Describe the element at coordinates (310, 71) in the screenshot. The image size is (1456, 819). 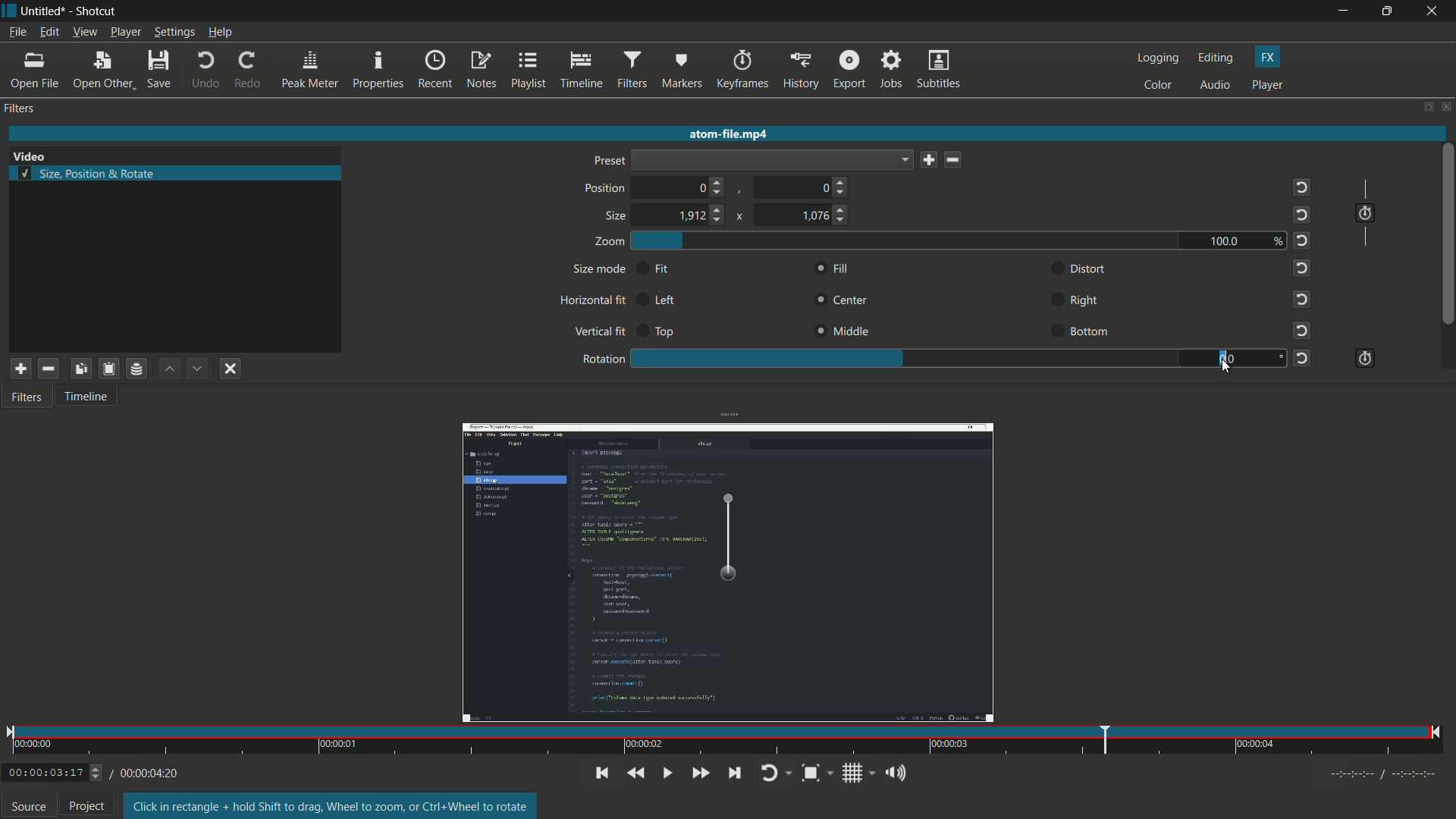
I see `peak meter` at that location.